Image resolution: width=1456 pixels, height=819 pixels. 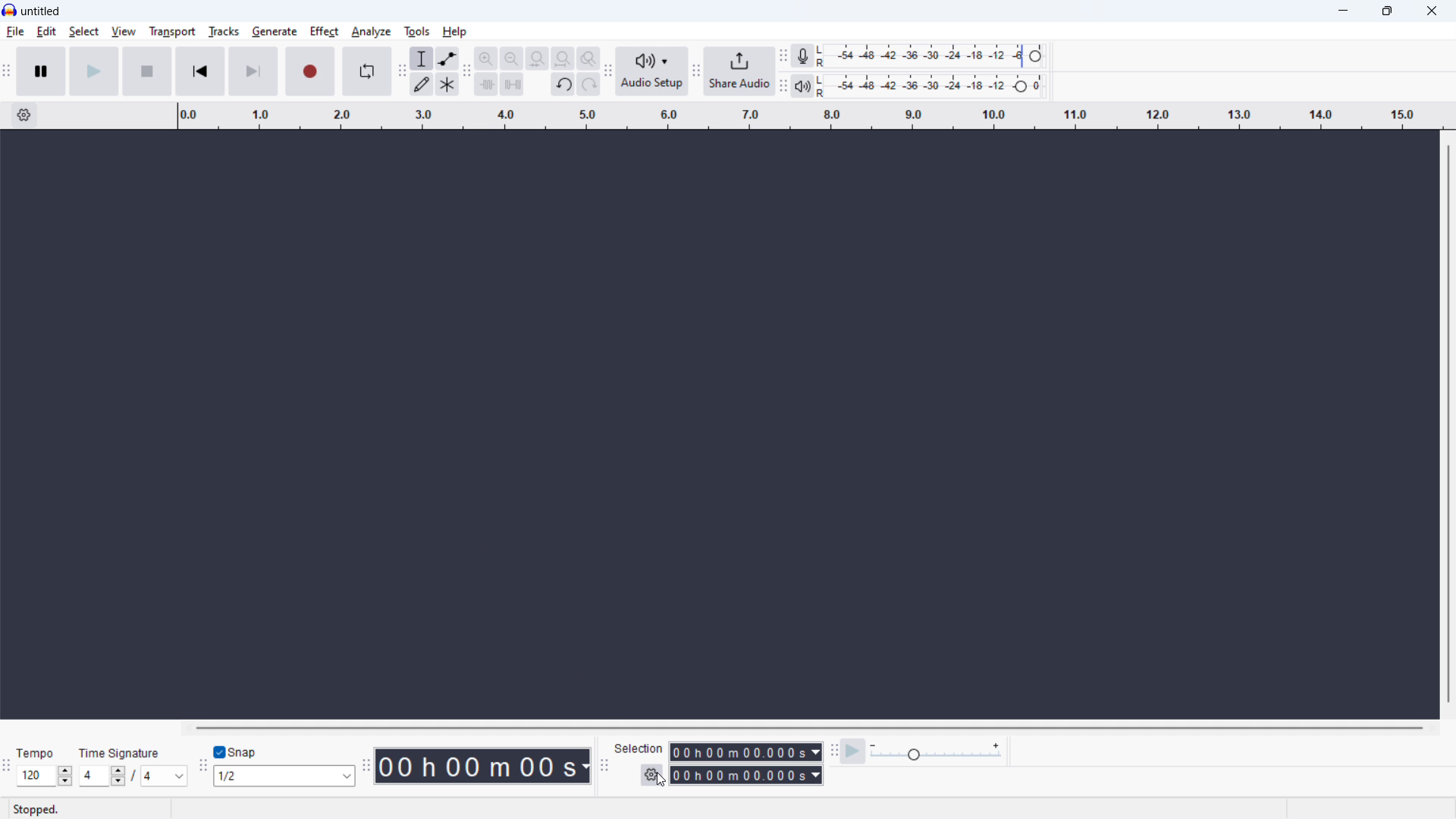 What do you see at coordinates (35, 753) in the screenshot?
I see `tempo` at bounding box center [35, 753].